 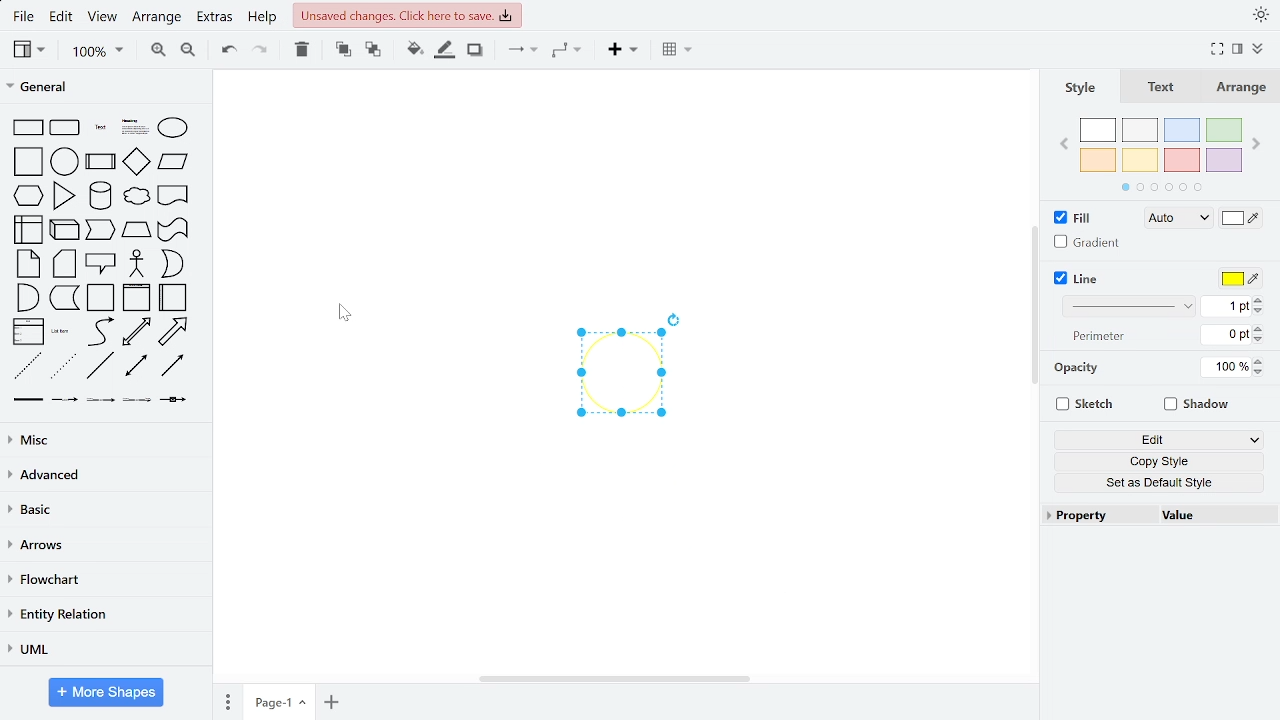 I want to click on line, so click(x=1079, y=279).